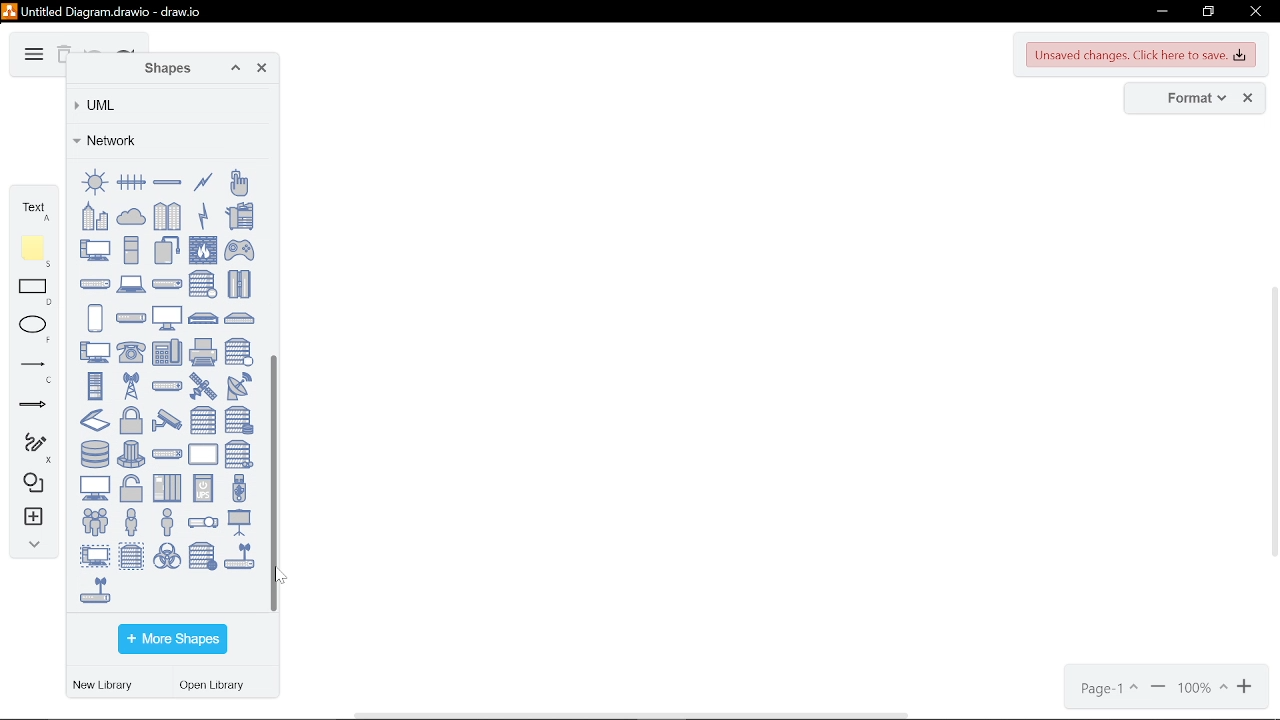 This screenshot has width=1280, height=720. Describe the element at coordinates (167, 317) in the screenshot. I see `monitor` at that location.